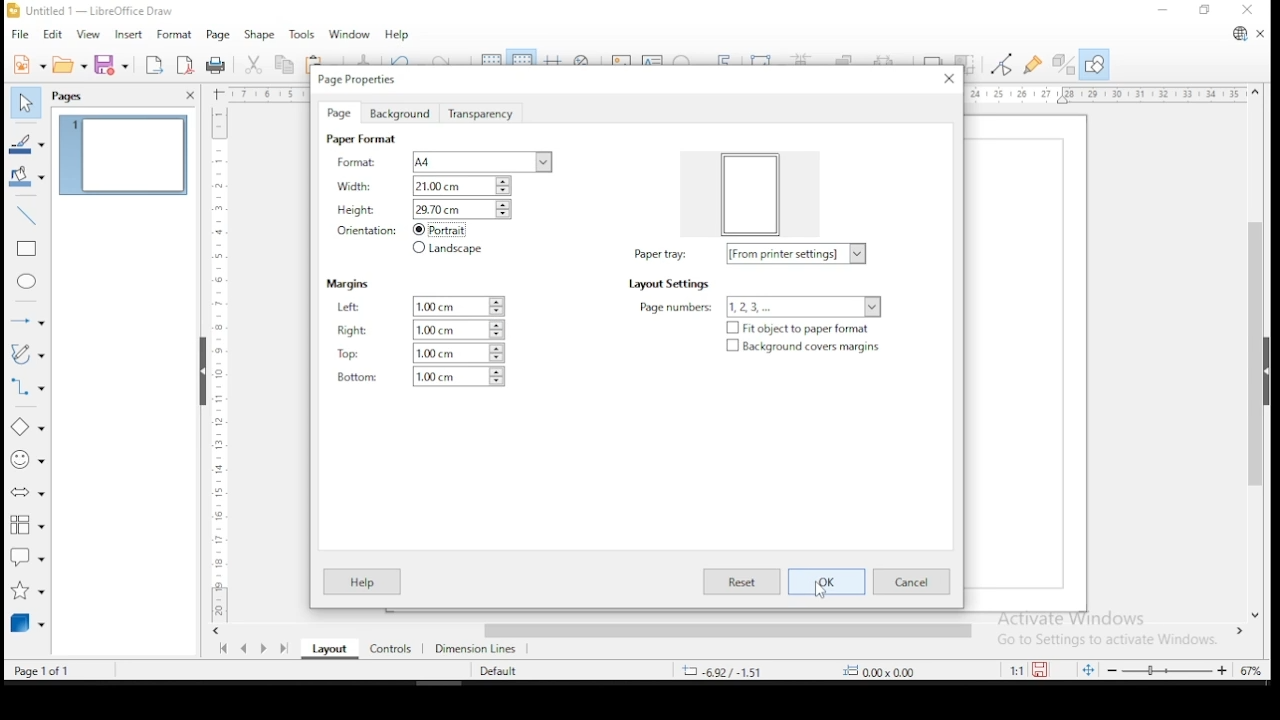 This screenshot has width=1280, height=720. I want to click on insert textbox, so click(653, 59).